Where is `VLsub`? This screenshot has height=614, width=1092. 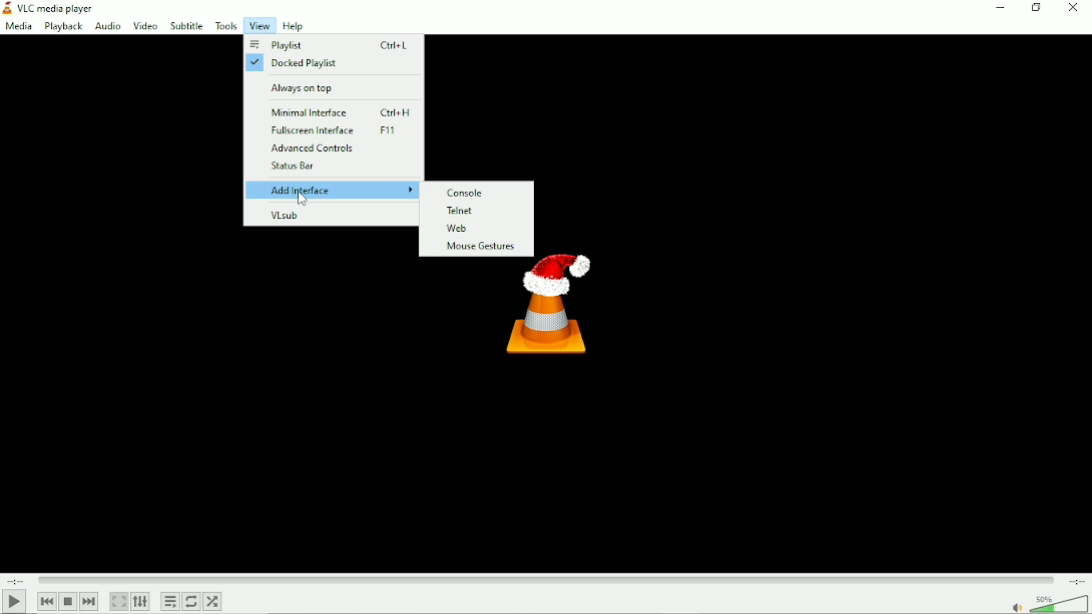 VLsub is located at coordinates (331, 213).